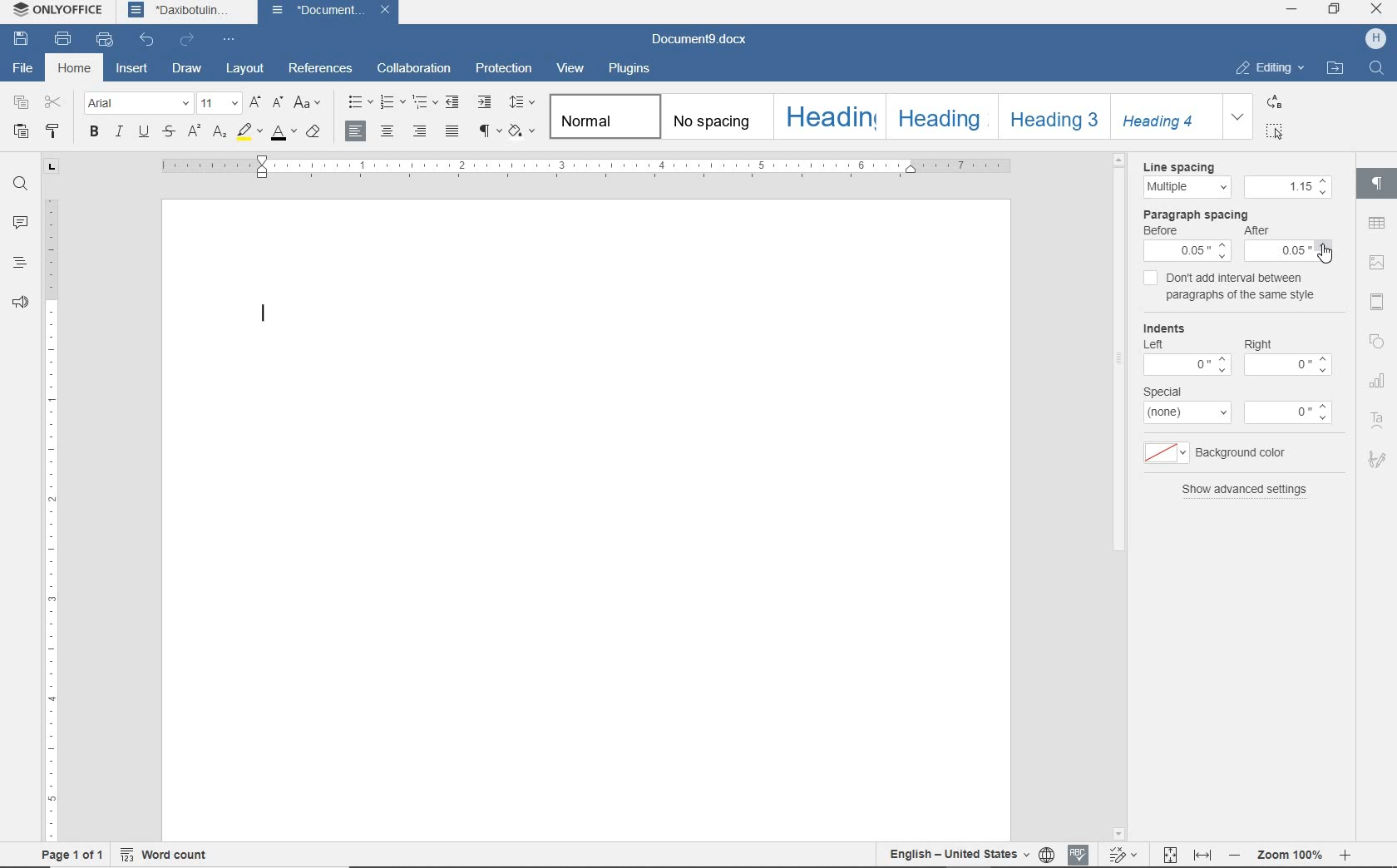 Image resolution: width=1397 pixels, height=868 pixels. What do you see at coordinates (1378, 382) in the screenshot?
I see `chart` at bounding box center [1378, 382].